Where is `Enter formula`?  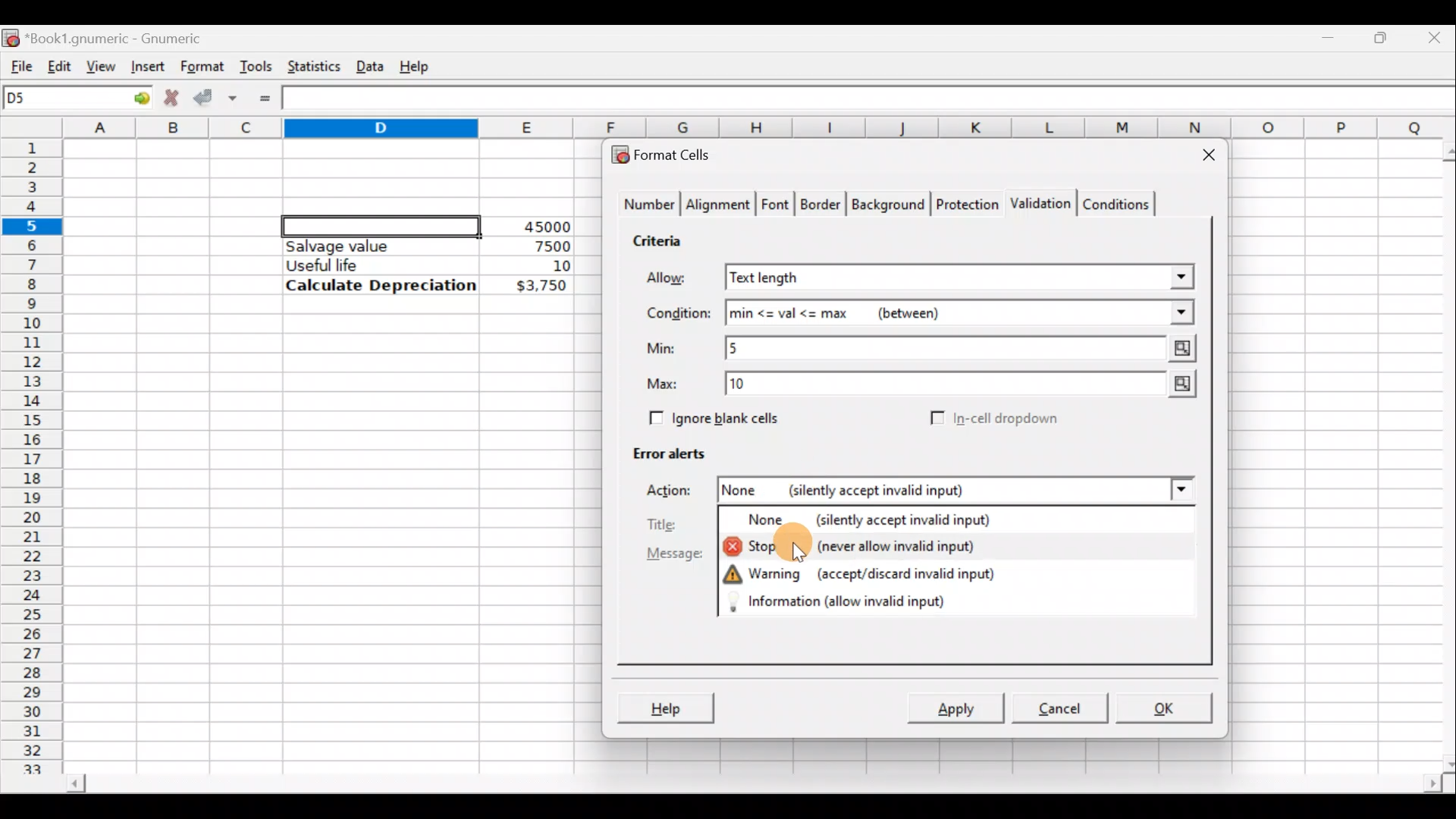
Enter formula is located at coordinates (265, 99).